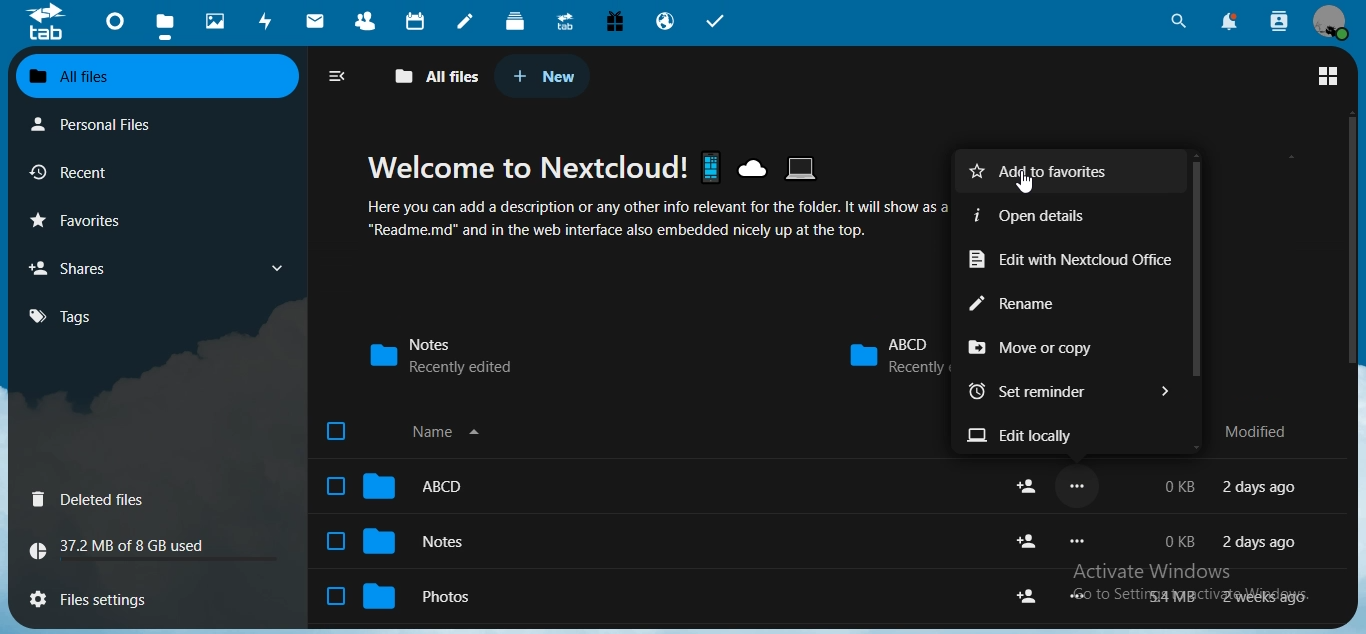 The width and height of the screenshot is (1366, 634). I want to click on photos, so click(410, 594).